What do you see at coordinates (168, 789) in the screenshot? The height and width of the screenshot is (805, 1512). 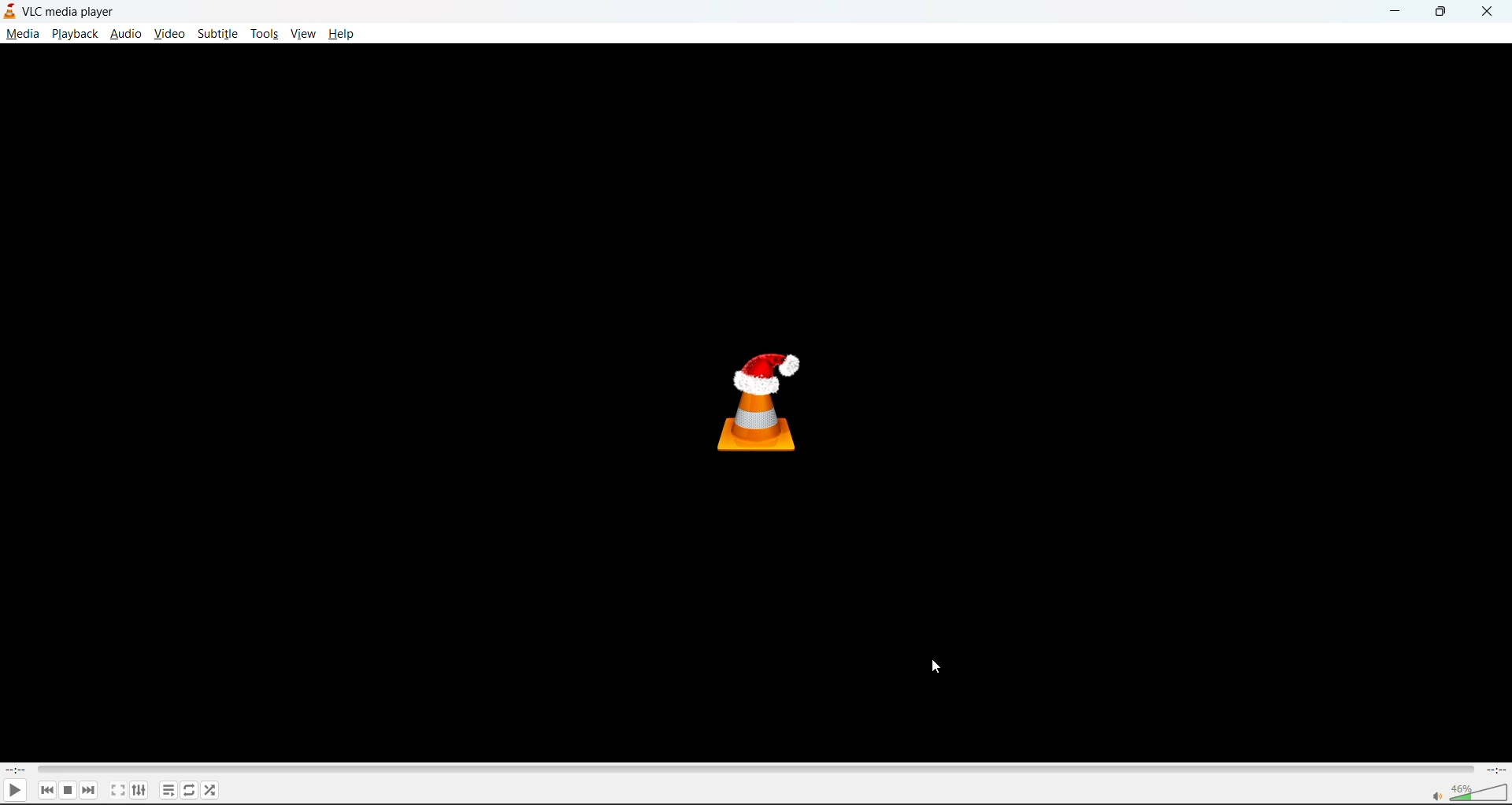 I see `playlist` at bounding box center [168, 789].